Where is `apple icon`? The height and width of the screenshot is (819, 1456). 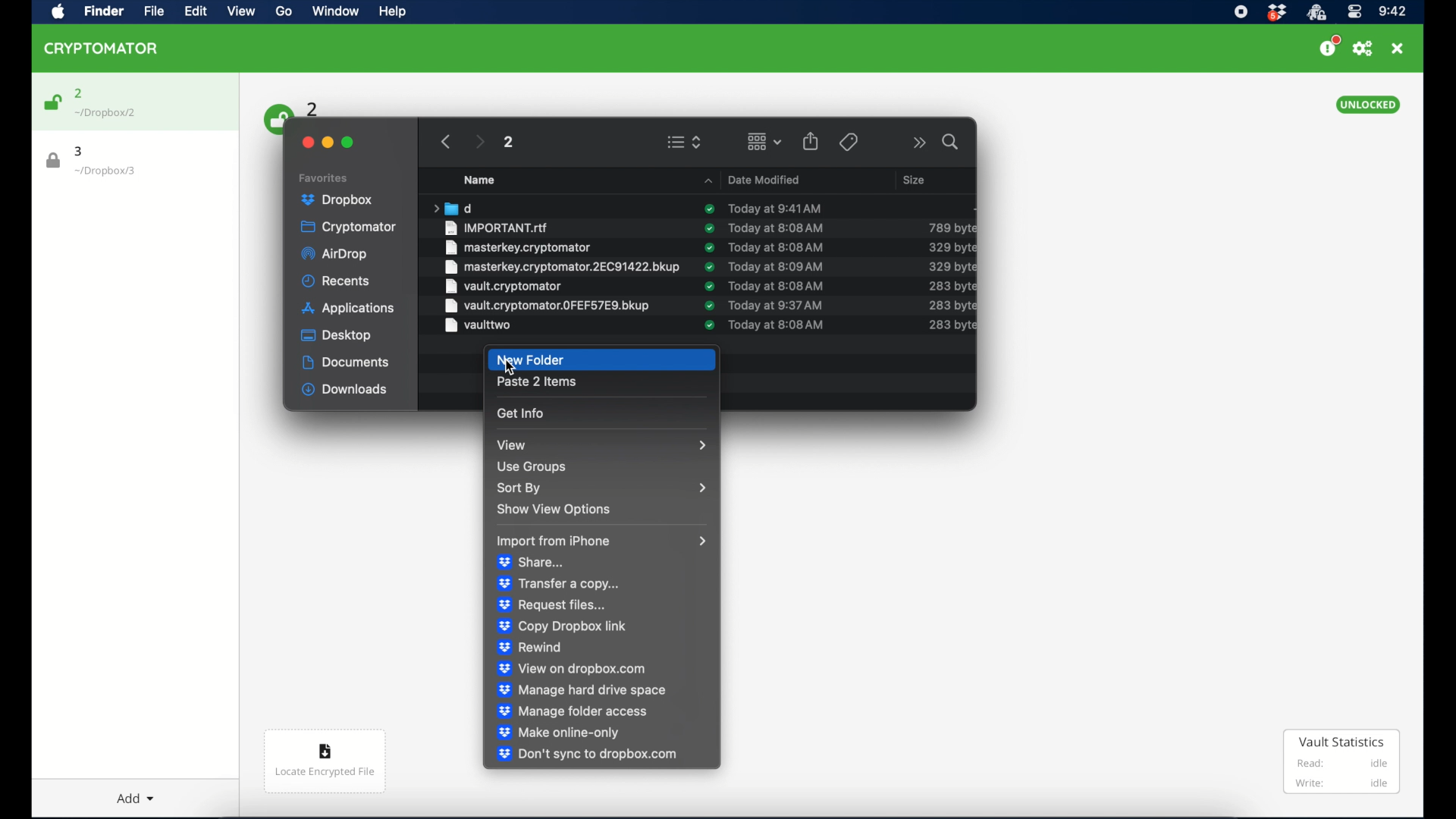
apple icon is located at coordinates (58, 12).